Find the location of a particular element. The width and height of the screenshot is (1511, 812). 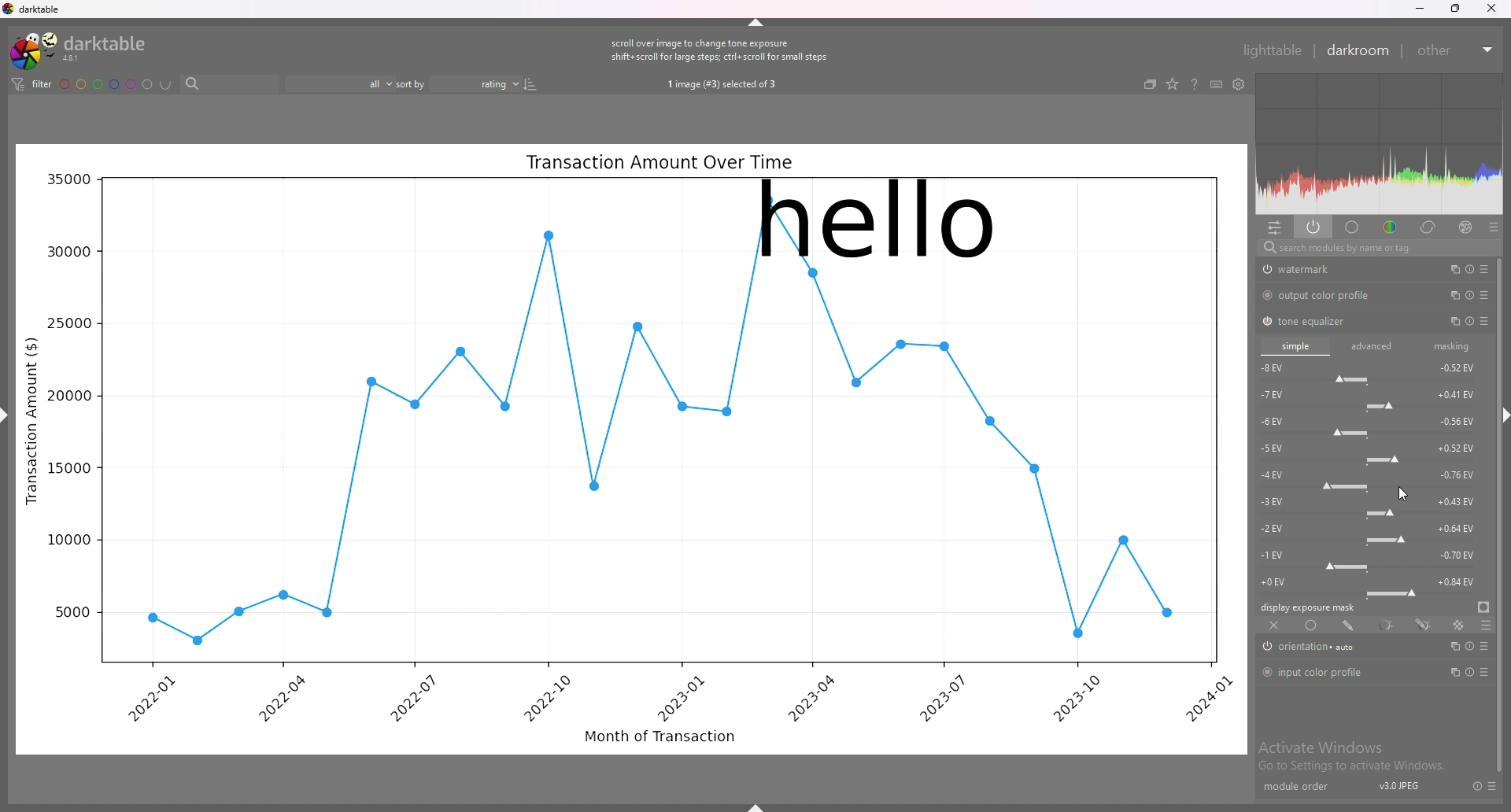

lighttable is located at coordinates (1273, 50).